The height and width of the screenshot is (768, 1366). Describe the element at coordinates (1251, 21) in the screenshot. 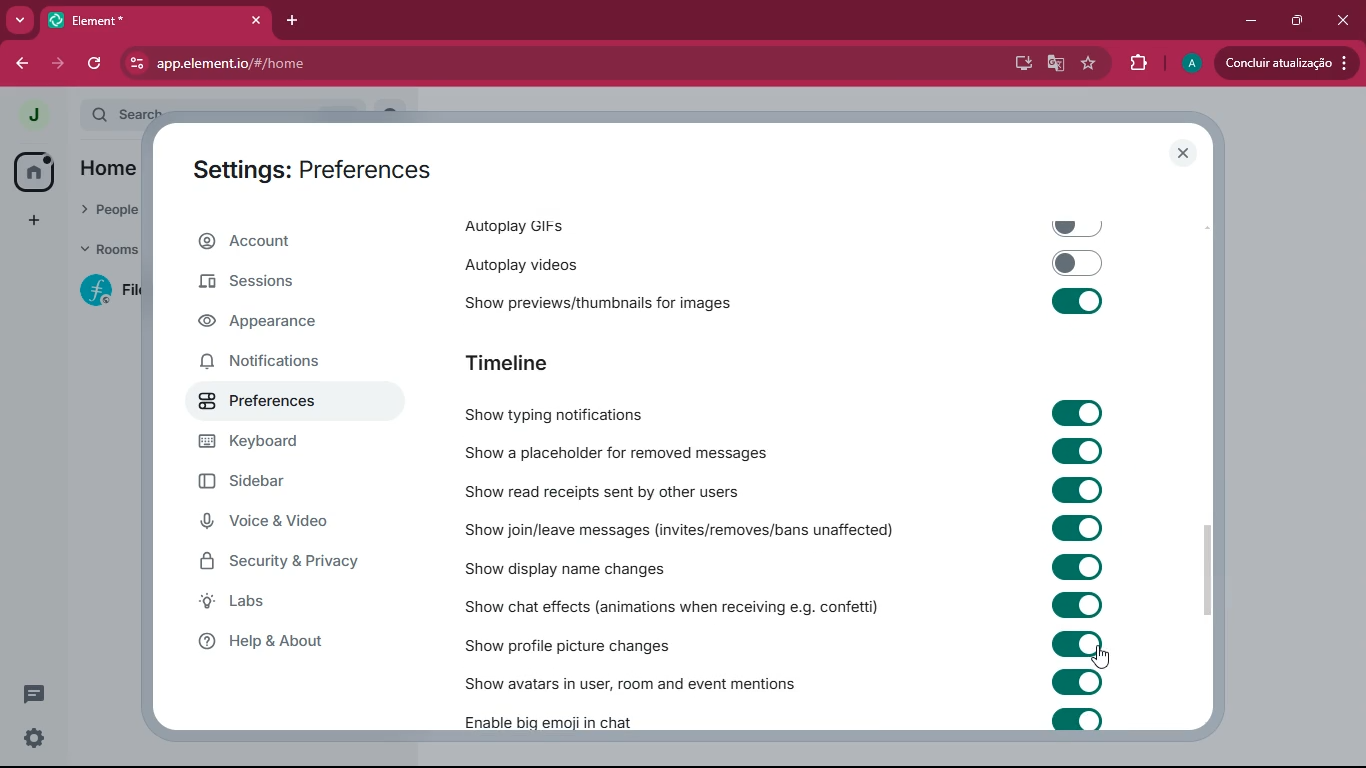

I see `minimize` at that location.